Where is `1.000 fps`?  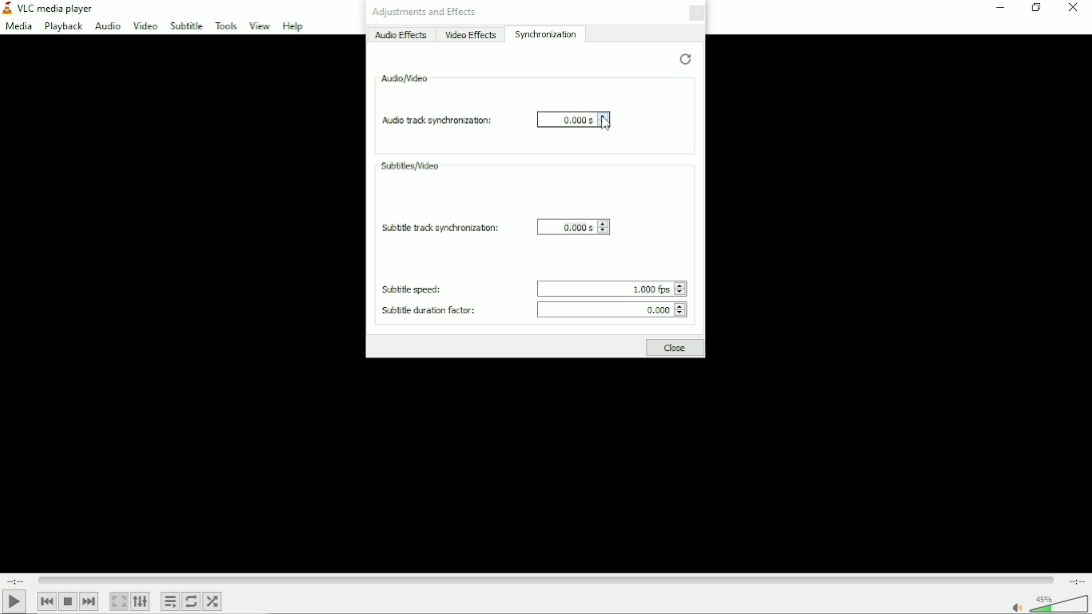 1.000 fps is located at coordinates (613, 287).